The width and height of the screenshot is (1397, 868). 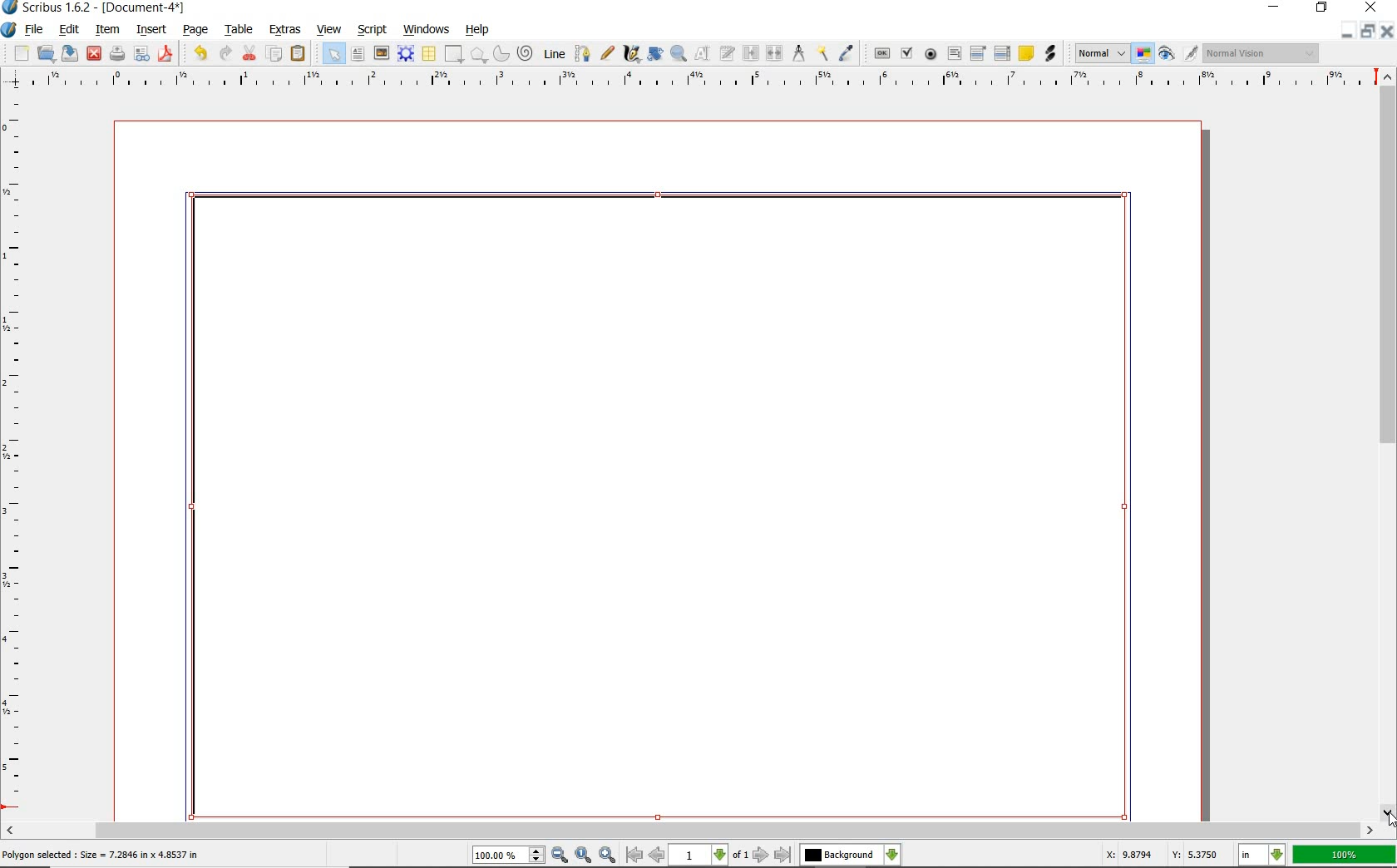 I want to click on minimize, so click(x=1275, y=7).